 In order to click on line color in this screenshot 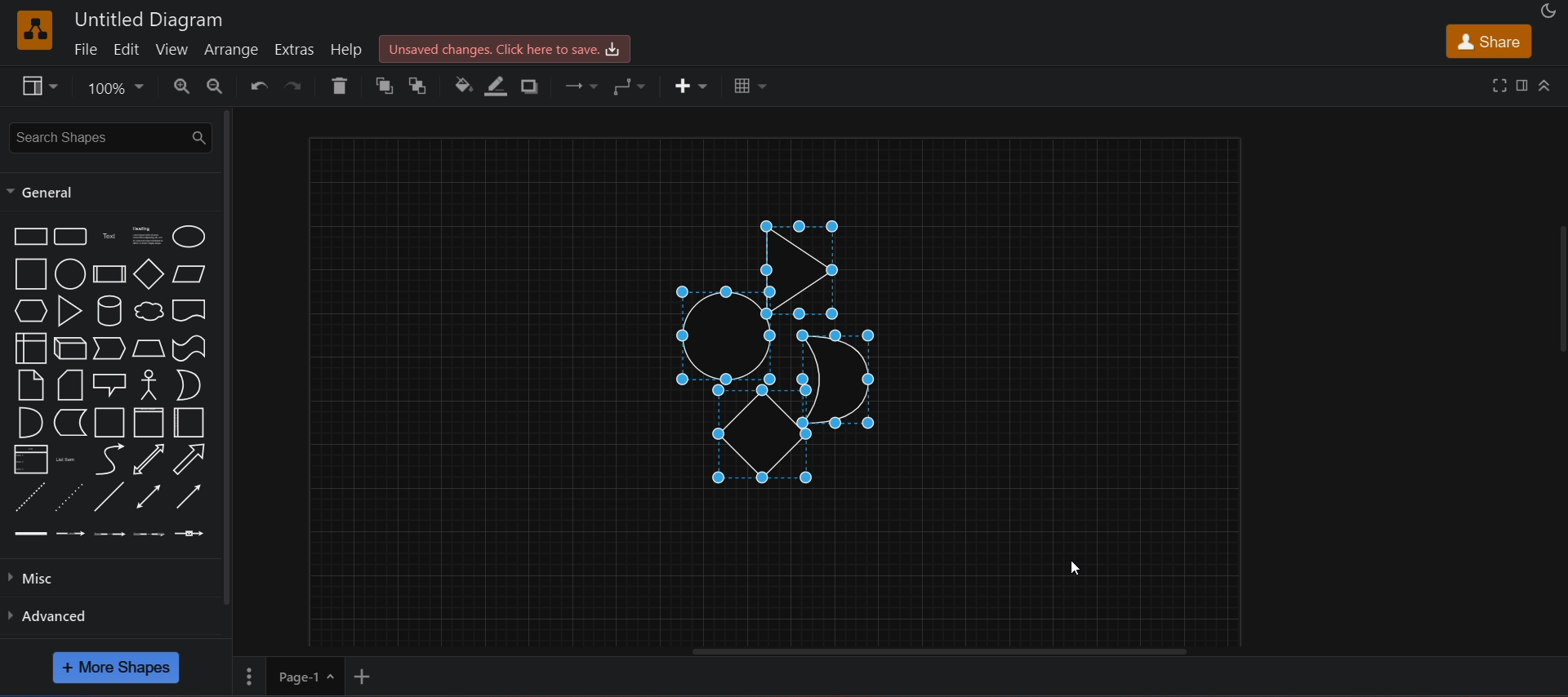, I will do `click(498, 85)`.